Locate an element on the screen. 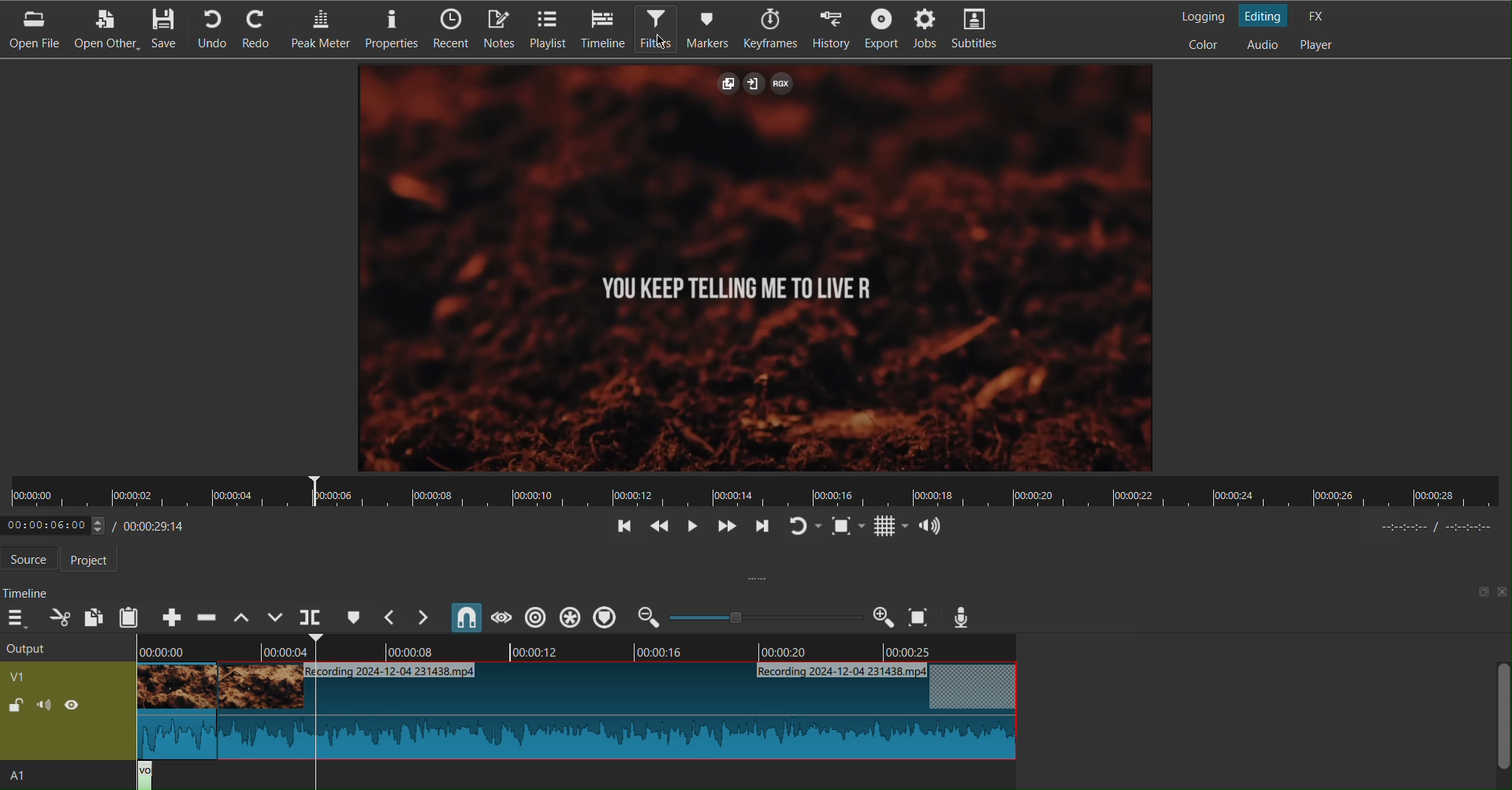 This screenshot has height=790, width=1512. Export is located at coordinates (881, 28).